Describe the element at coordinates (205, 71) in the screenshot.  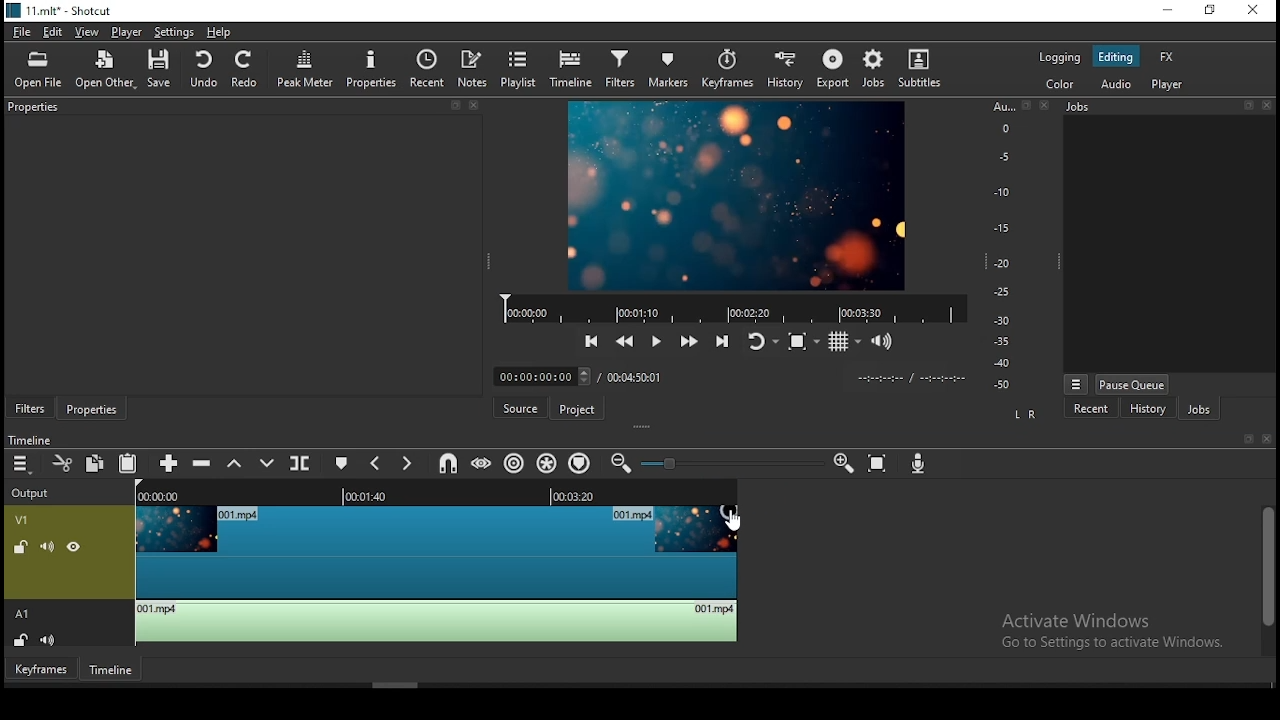
I see `undo` at that location.